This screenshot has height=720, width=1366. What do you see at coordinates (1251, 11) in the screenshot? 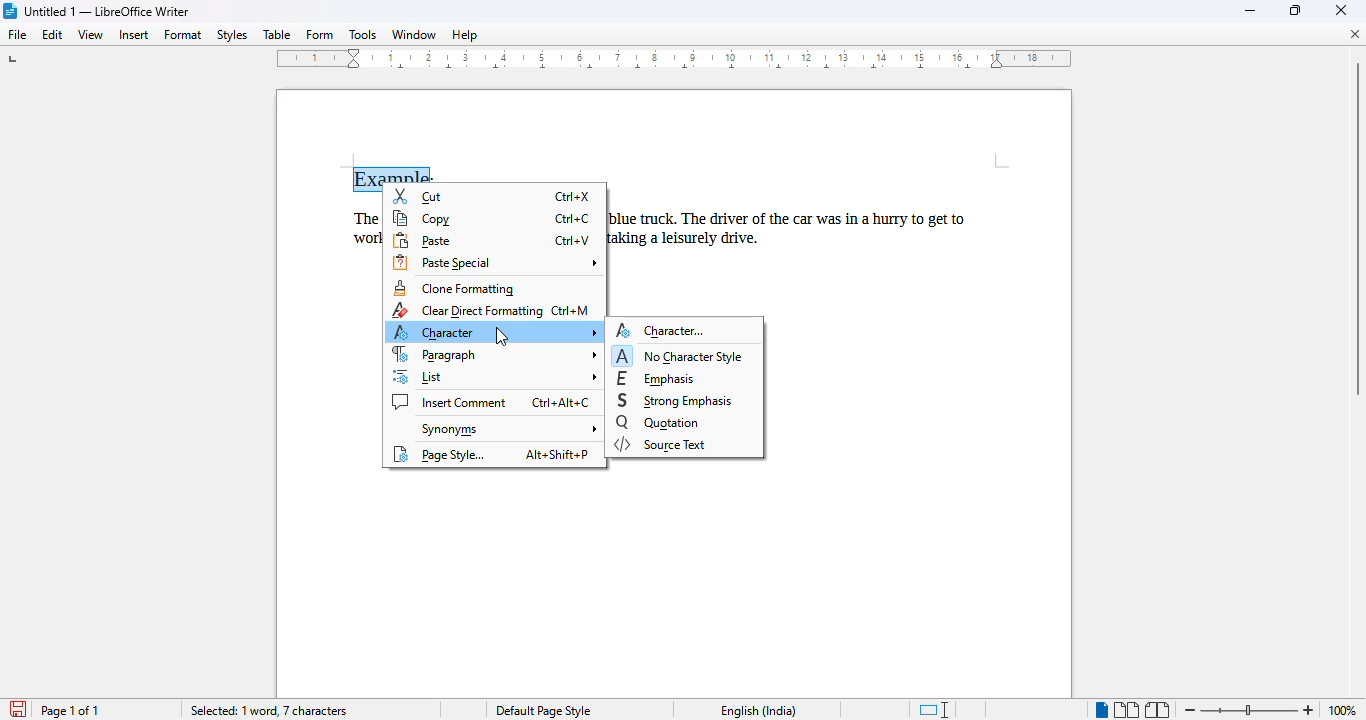
I see `minimize` at bounding box center [1251, 11].